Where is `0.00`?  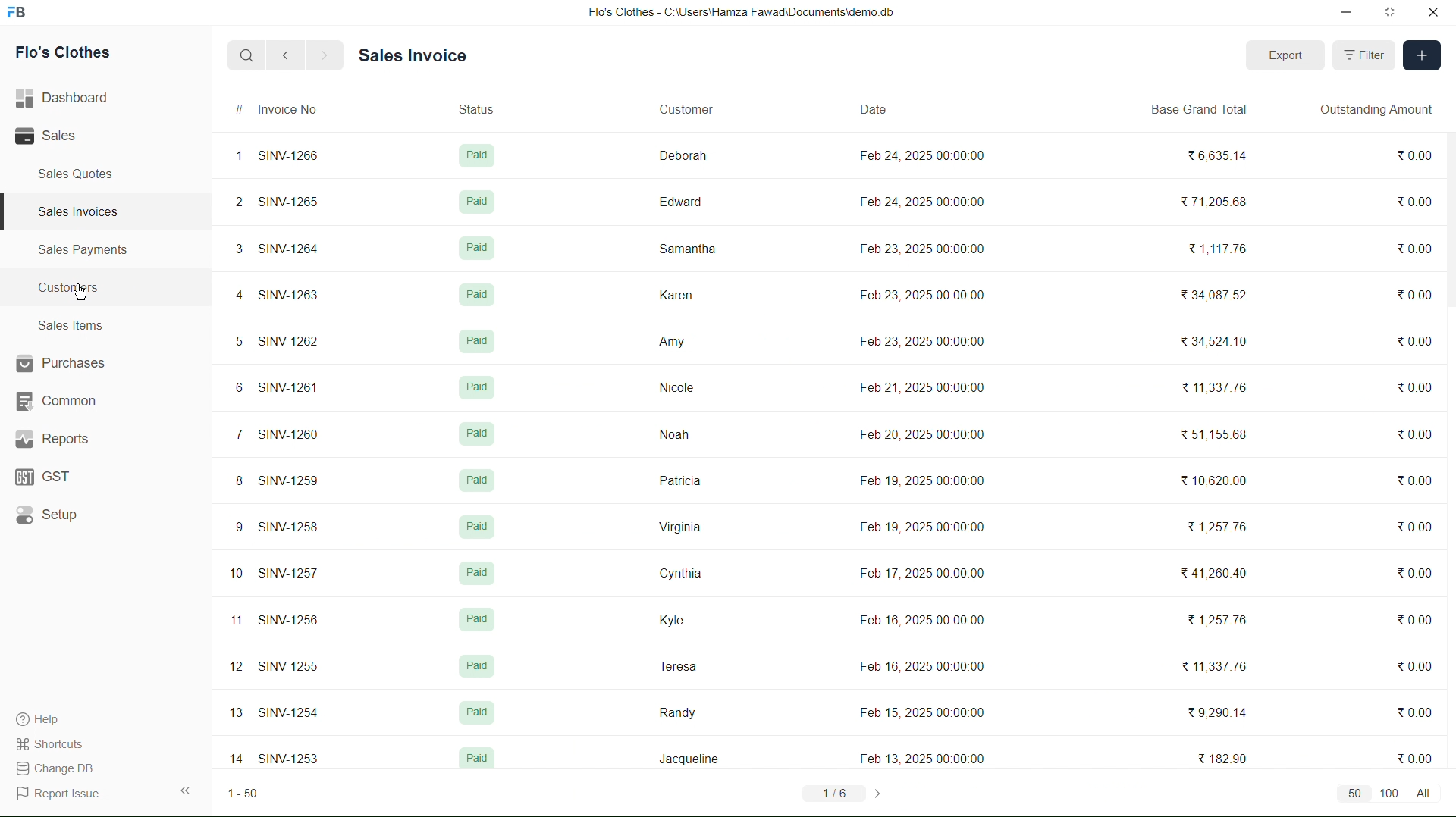
0.00 is located at coordinates (1415, 715).